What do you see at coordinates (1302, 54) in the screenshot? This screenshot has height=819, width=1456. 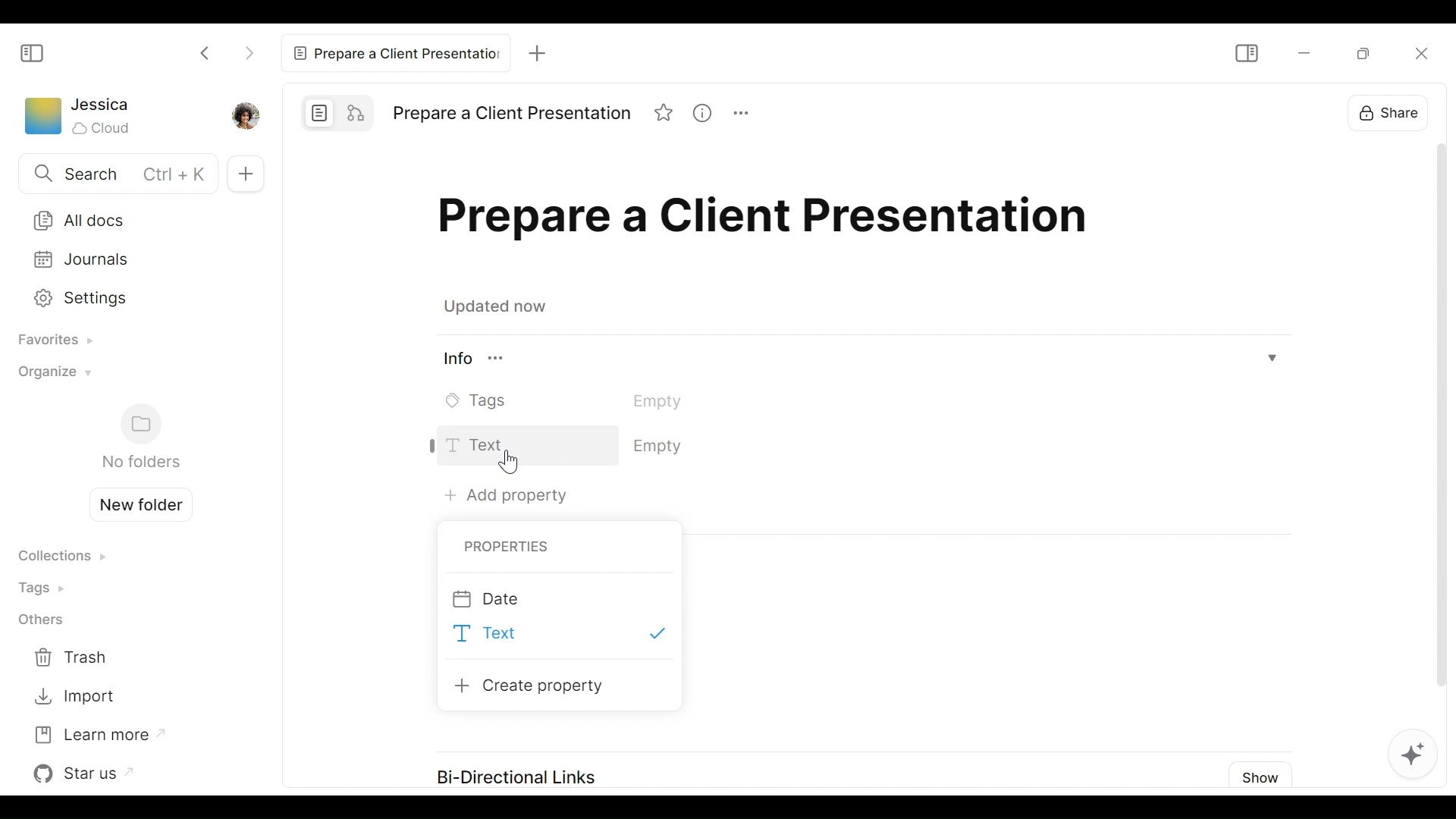 I see `minimize` at bounding box center [1302, 54].